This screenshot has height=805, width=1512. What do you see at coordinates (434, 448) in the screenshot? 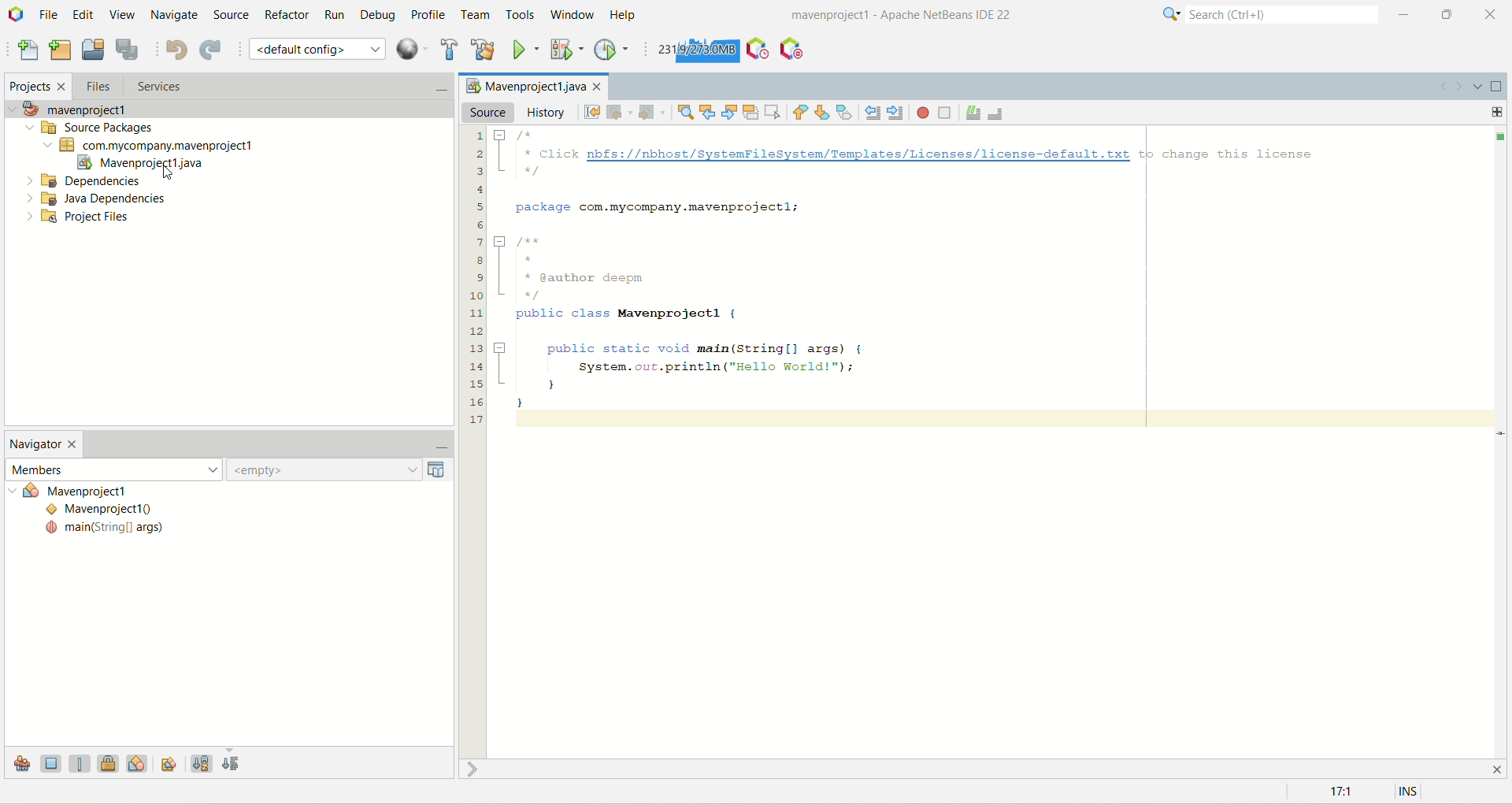
I see `minimize` at bounding box center [434, 448].